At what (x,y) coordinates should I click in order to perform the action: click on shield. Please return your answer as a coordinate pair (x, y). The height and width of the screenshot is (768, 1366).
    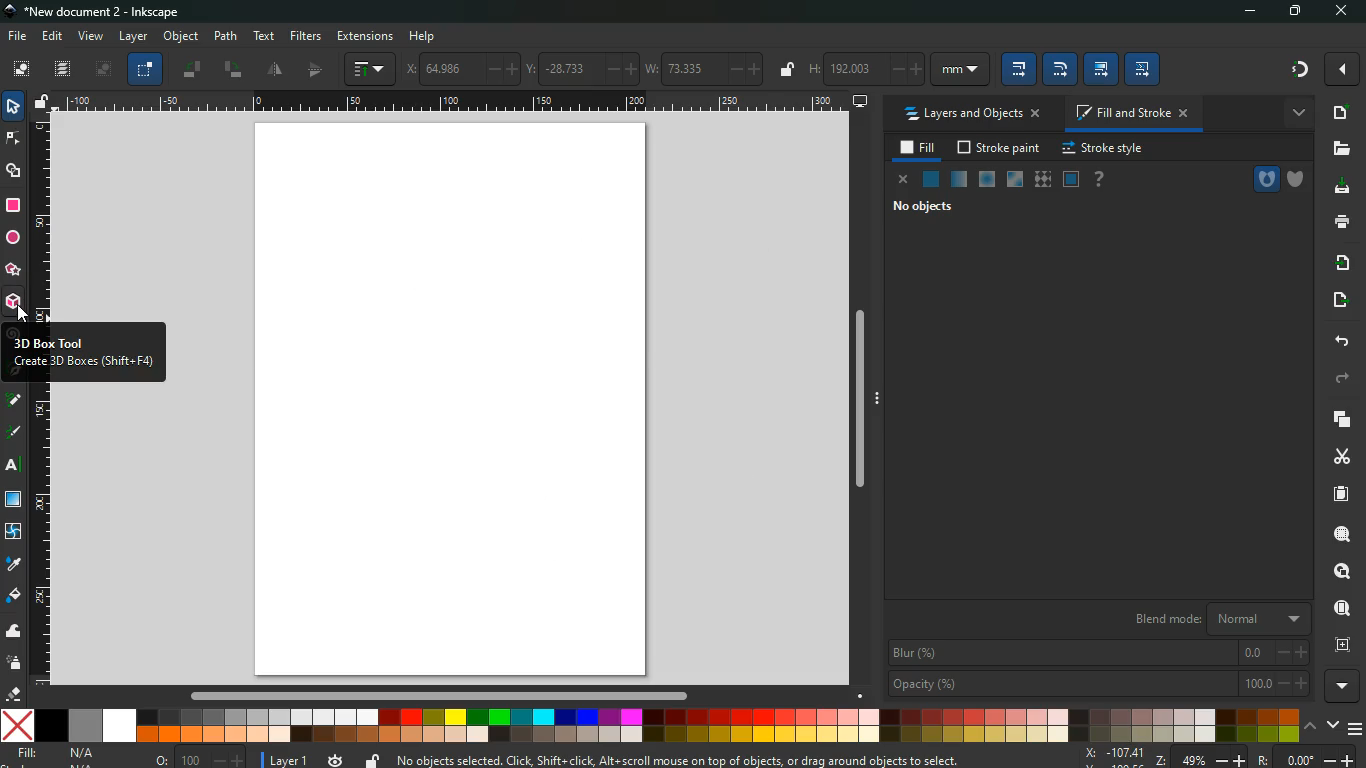
    Looking at the image, I should click on (1299, 180).